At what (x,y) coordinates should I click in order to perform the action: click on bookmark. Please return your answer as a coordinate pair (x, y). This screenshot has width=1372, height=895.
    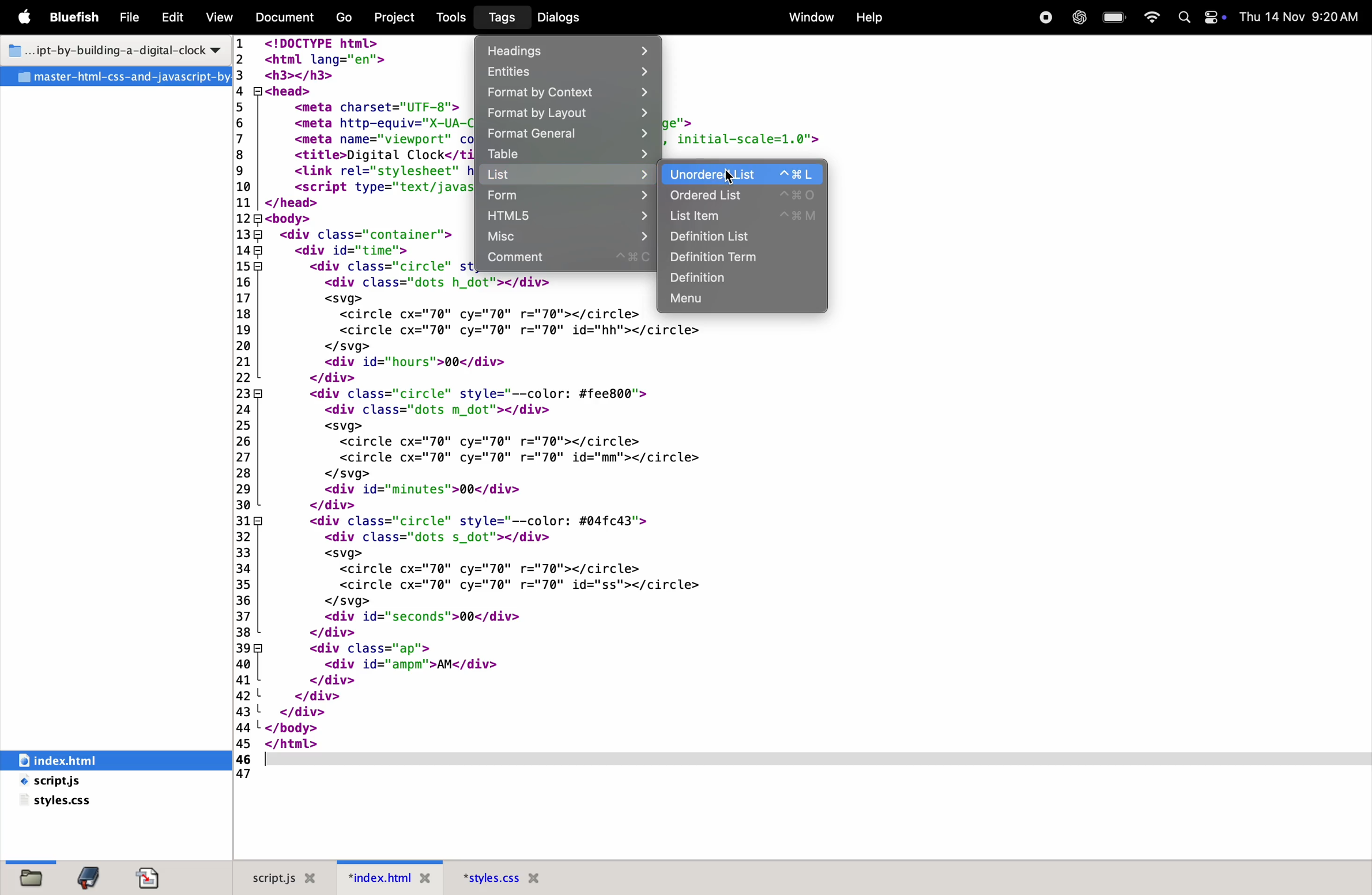
    Looking at the image, I should click on (90, 878).